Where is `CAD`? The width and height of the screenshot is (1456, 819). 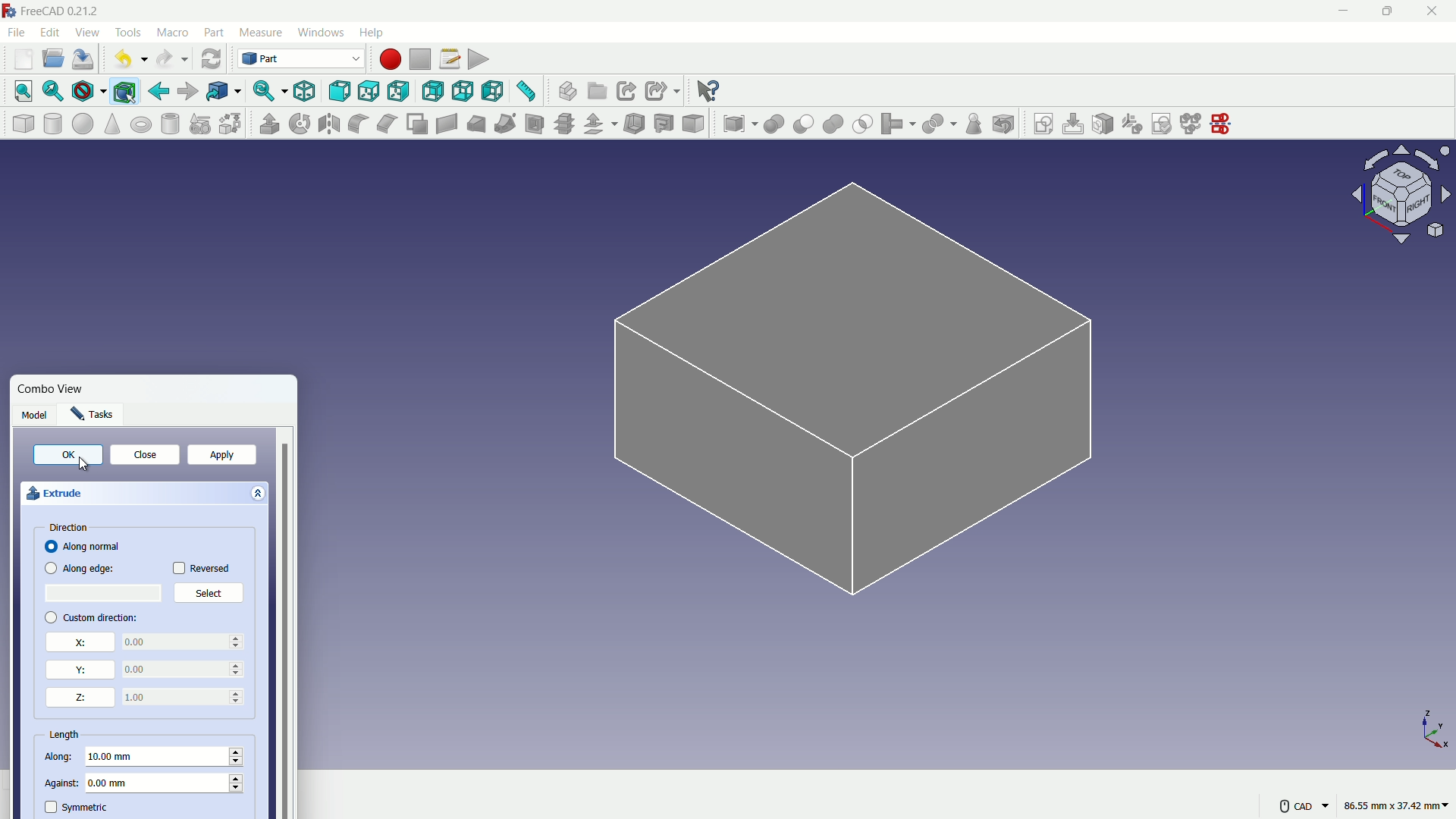 CAD is located at coordinates (1304, 805).